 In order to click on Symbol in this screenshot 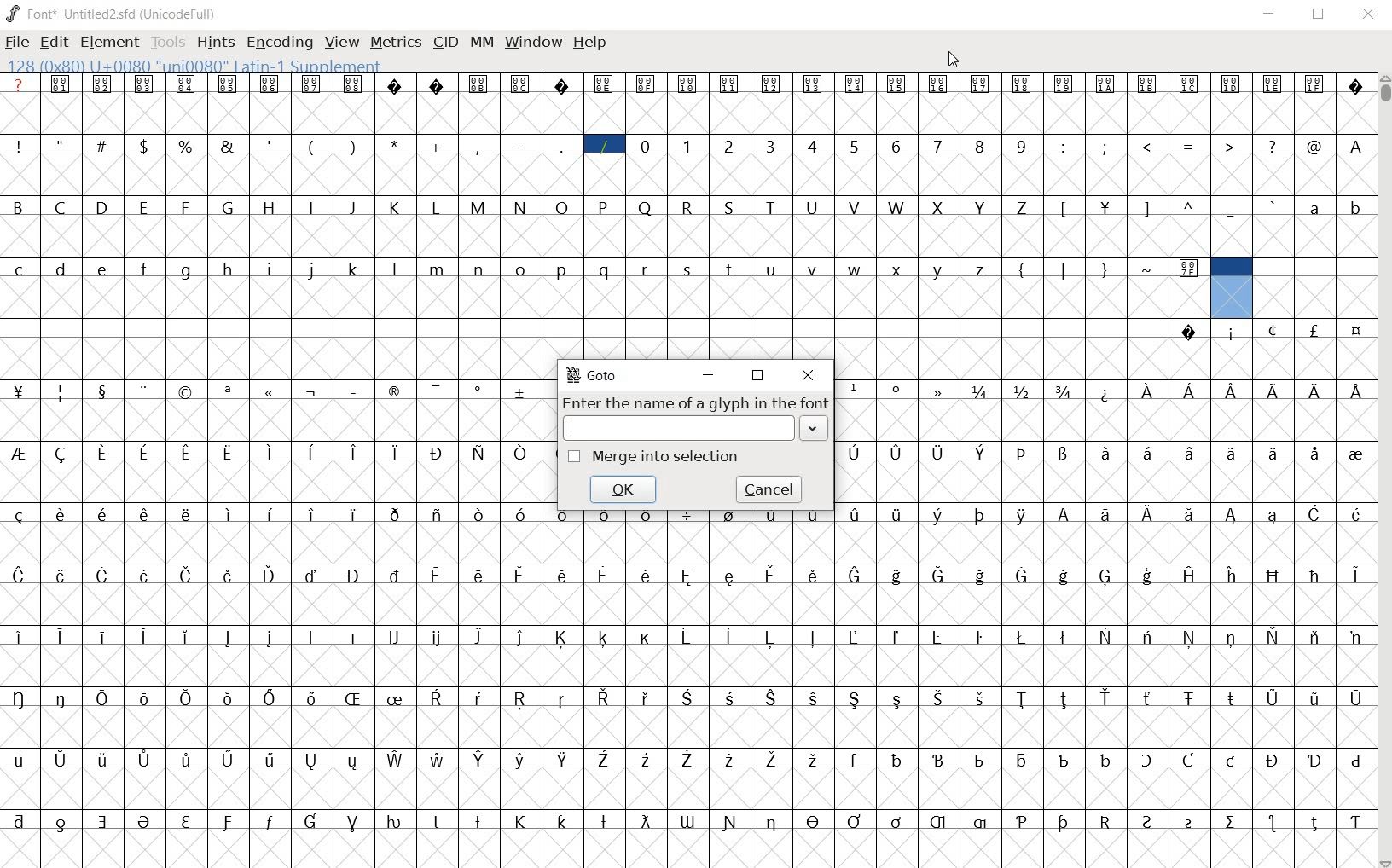, I will do `click(1066, 452)`.